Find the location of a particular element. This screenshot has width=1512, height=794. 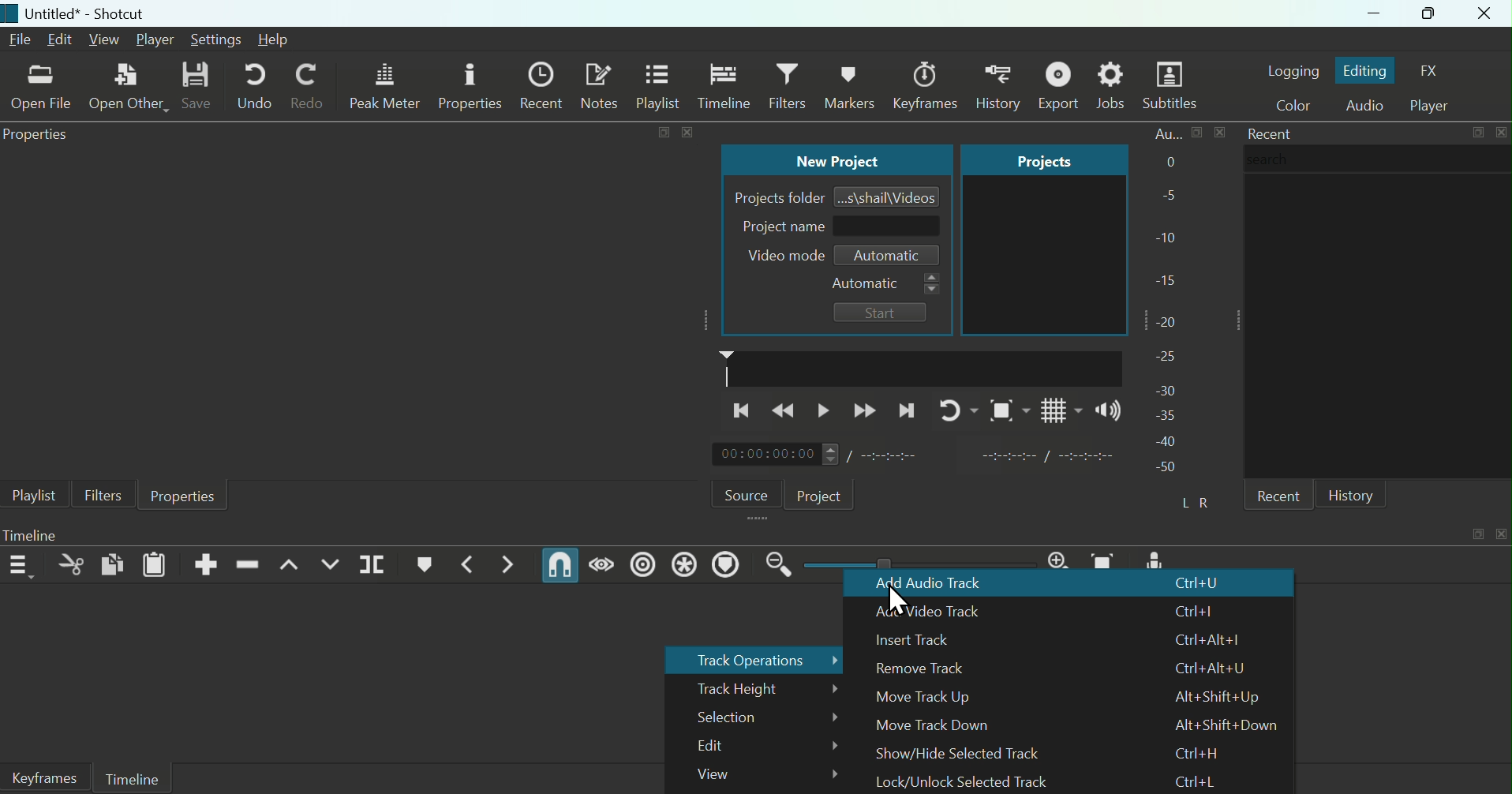

View is located at coordinates (756, 775).